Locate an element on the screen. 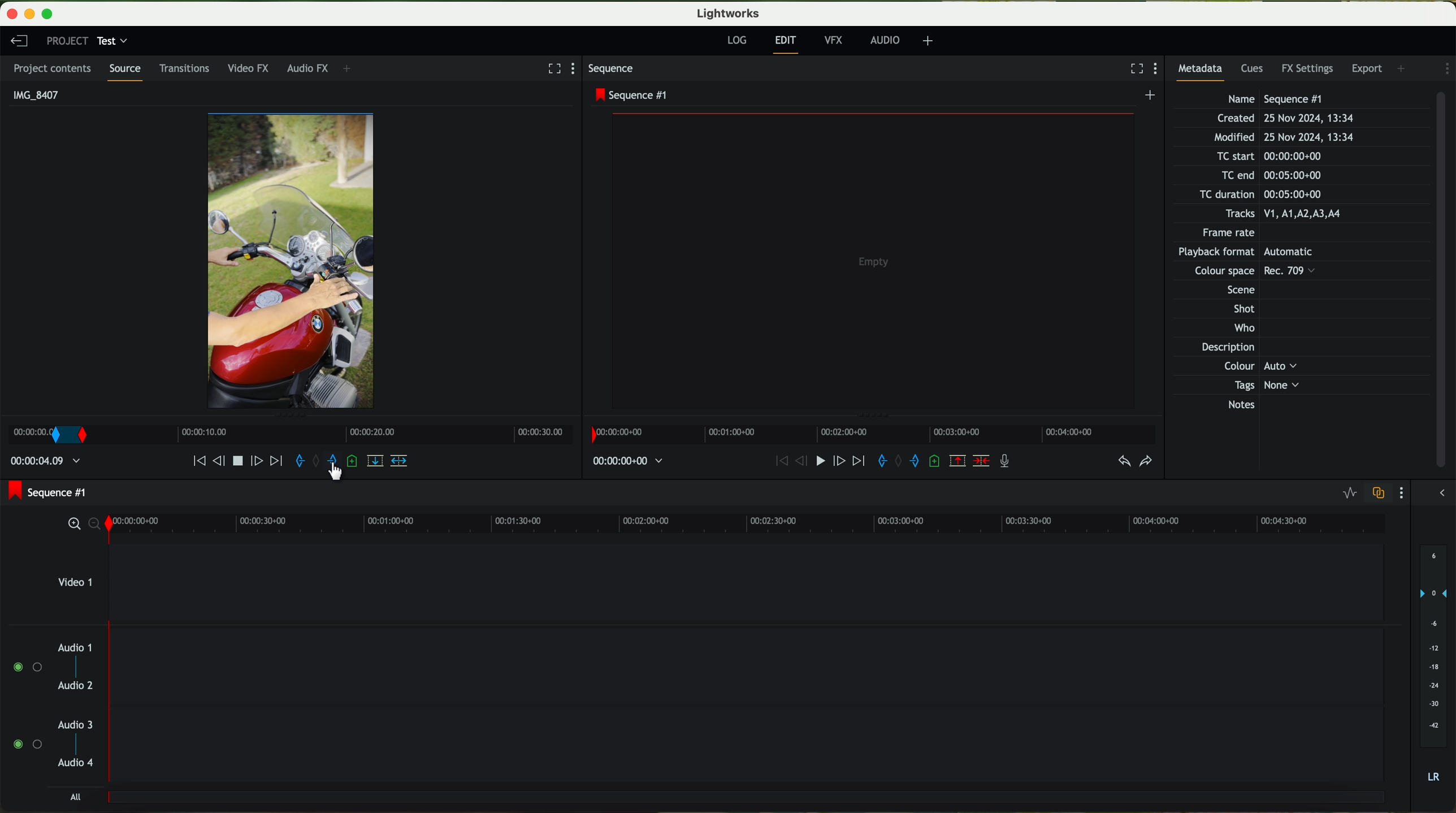 Image resolution: width=1456 pixels, height=813 pixels. all is located at coordinates (77, 798).